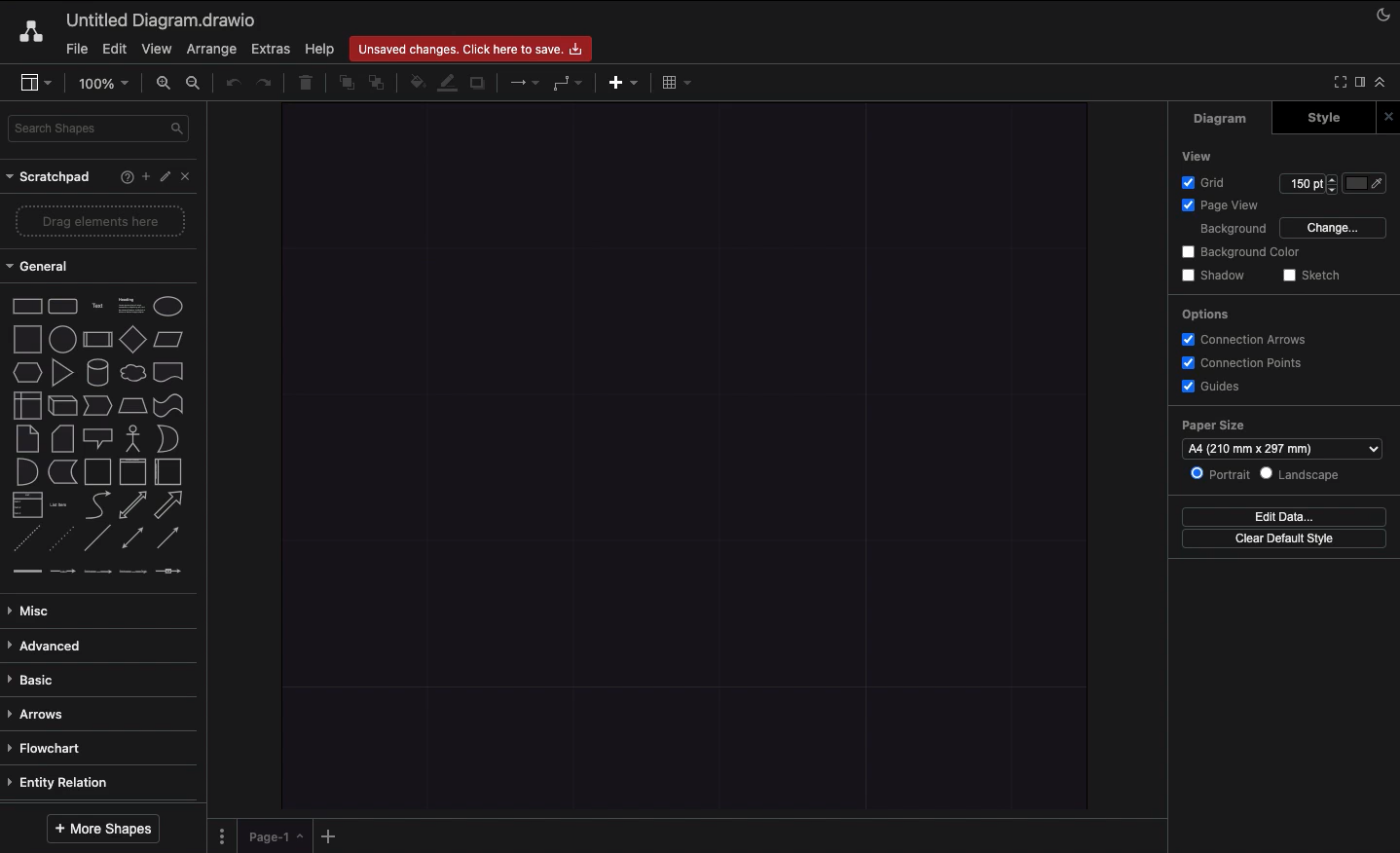  I want to click on Night mode, so click(1383, 18).